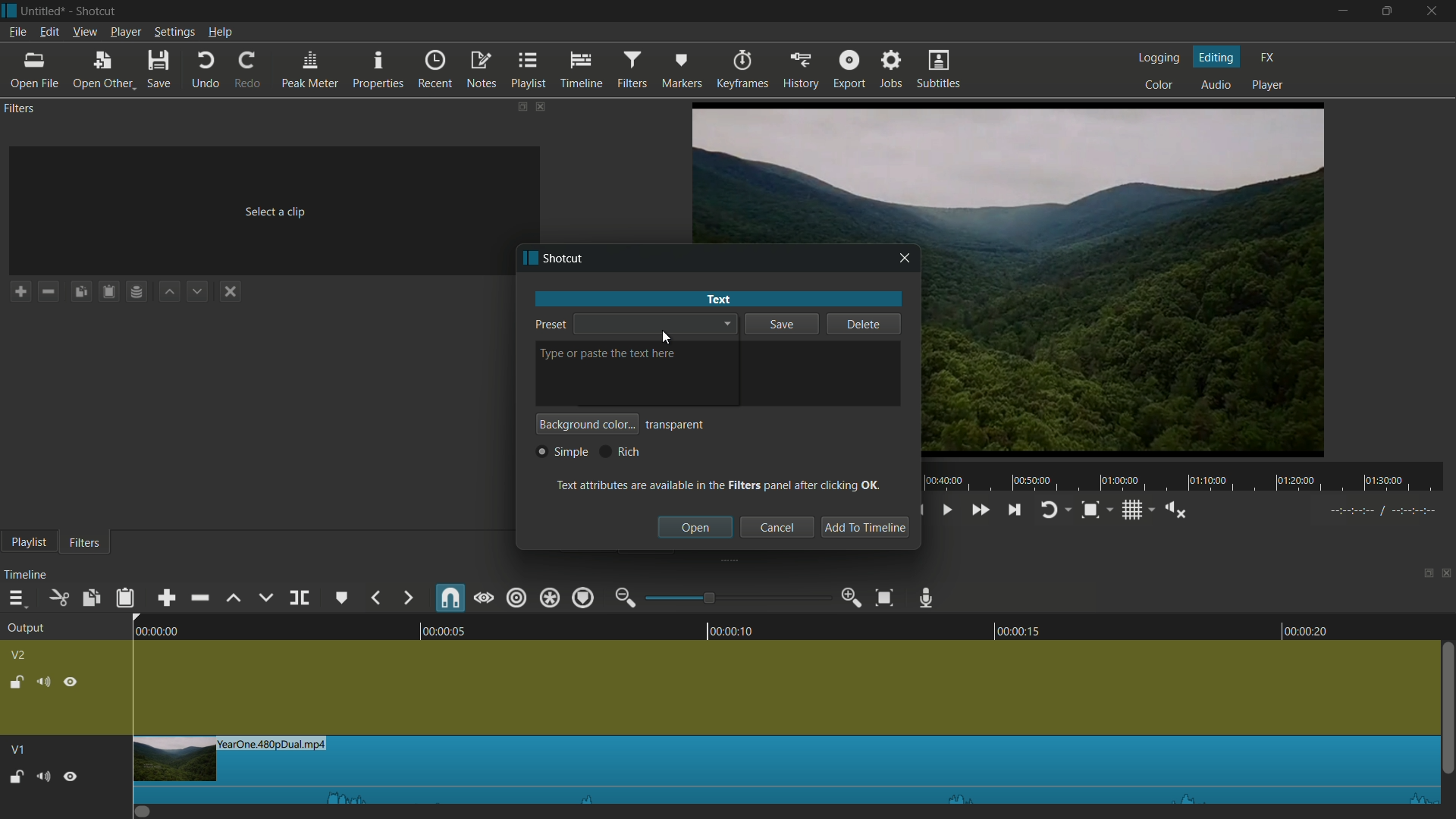  Describe the element at coordinates (15, 598) in the screenshot. I see `timeline menu` at that location.